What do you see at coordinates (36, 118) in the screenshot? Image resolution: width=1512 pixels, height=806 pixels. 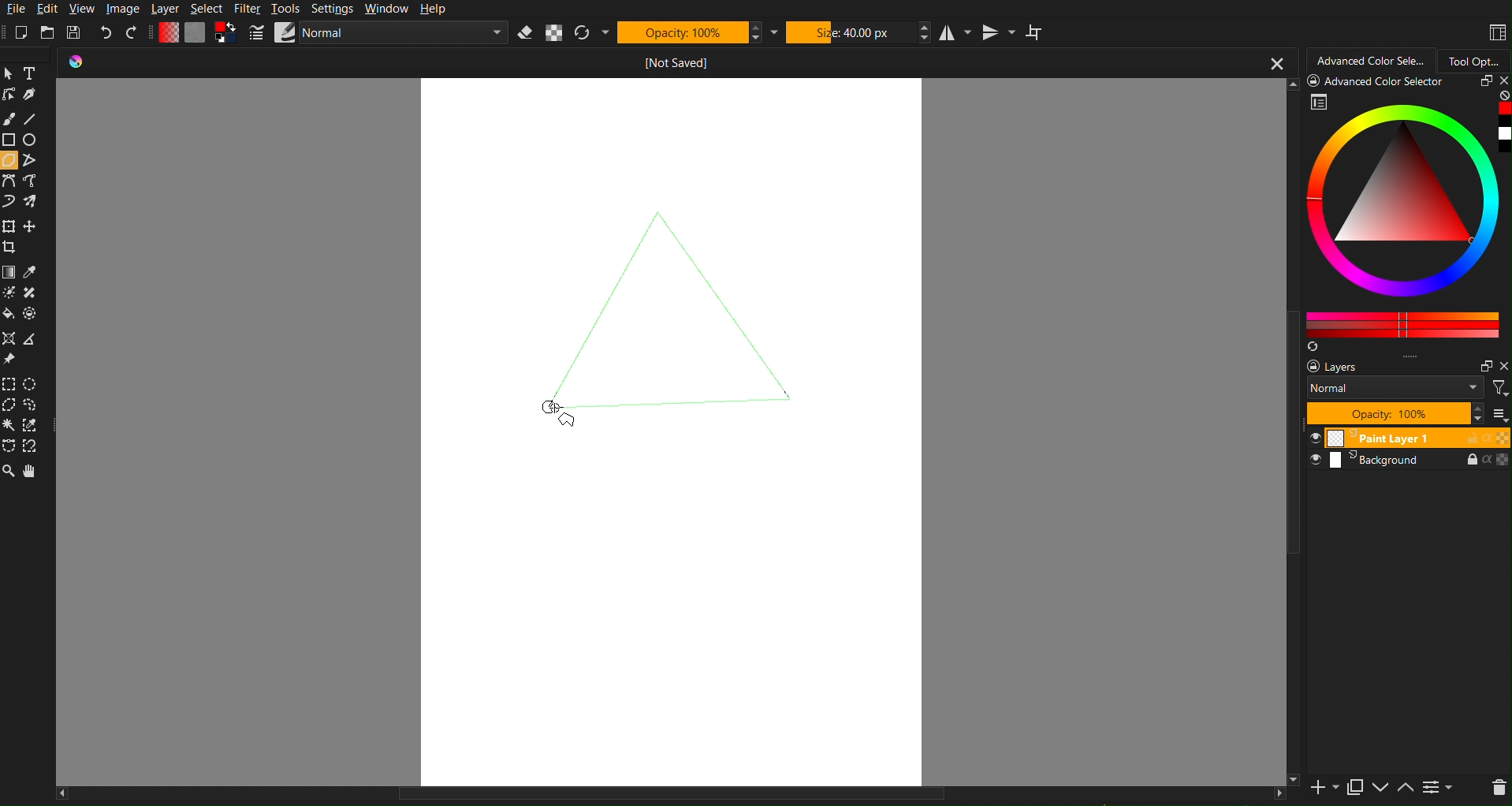 I see `Line ` at bounding box center [36, 118].